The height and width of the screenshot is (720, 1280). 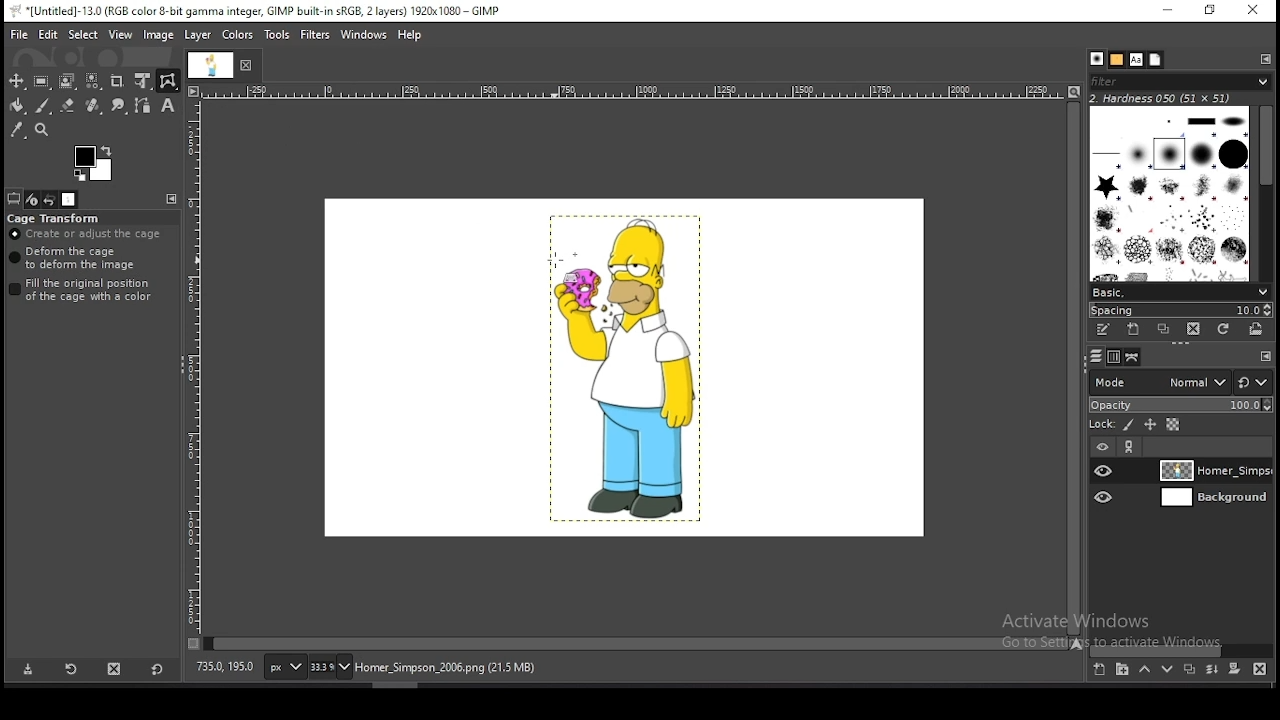 What do you see at coordinates (93, 81) in the screenshot?
I see `select by color tool` at bounding box center [93, 81].